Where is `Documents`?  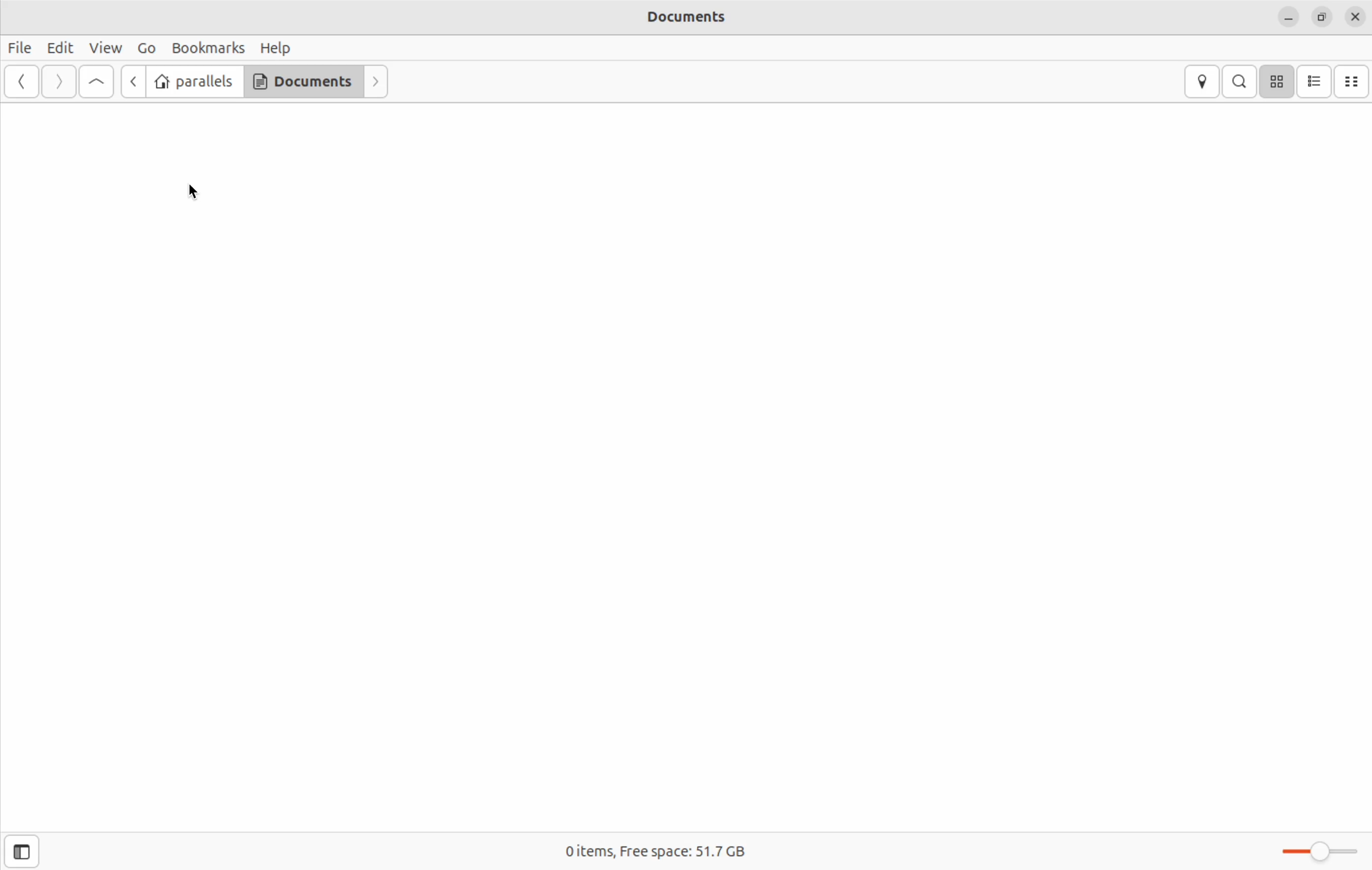 Documents is located at coordinates (685, 18).